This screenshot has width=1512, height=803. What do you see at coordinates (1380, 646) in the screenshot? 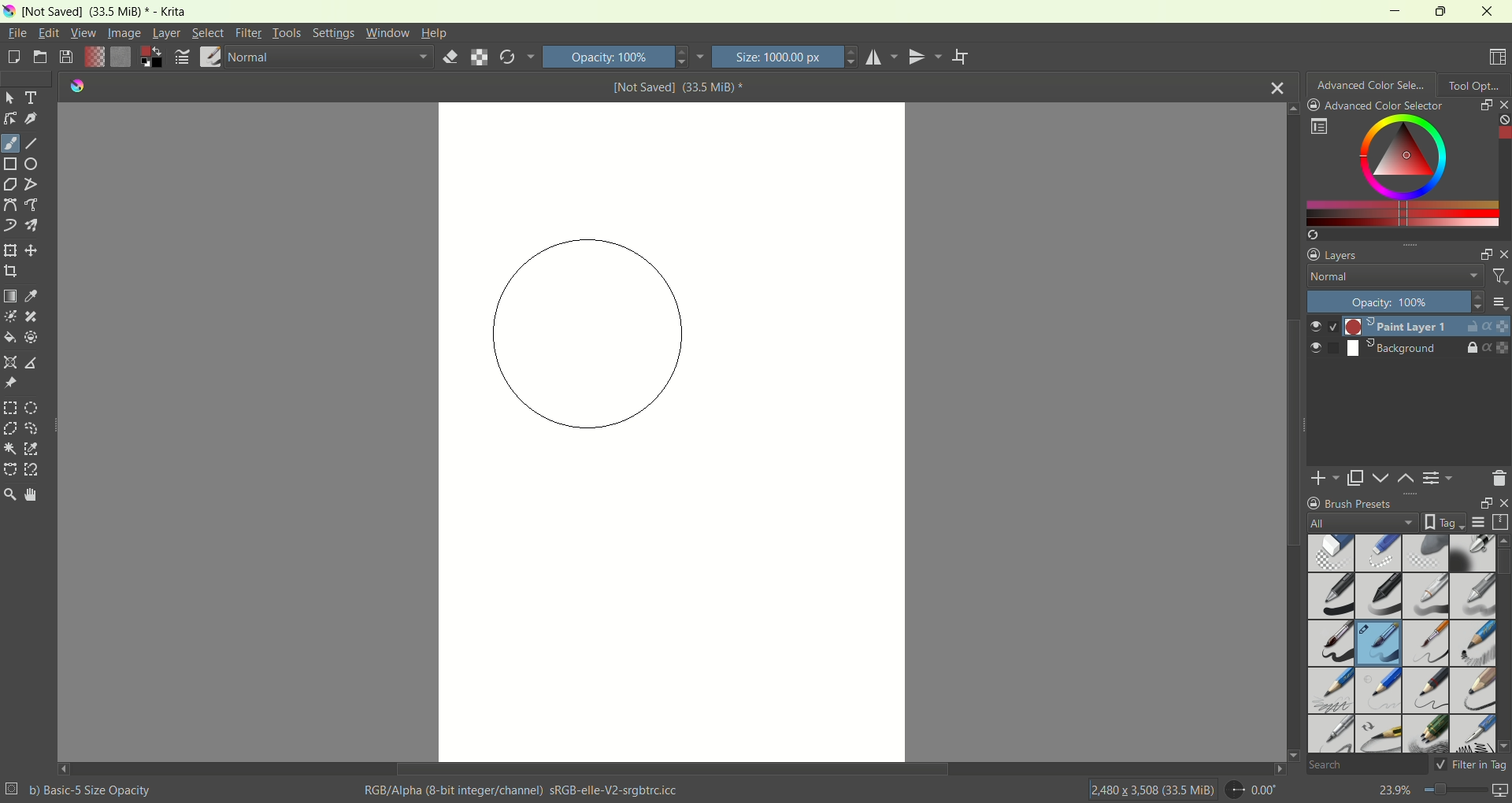
I see `basic 5 opacity` at bounding box center [1380, 646].